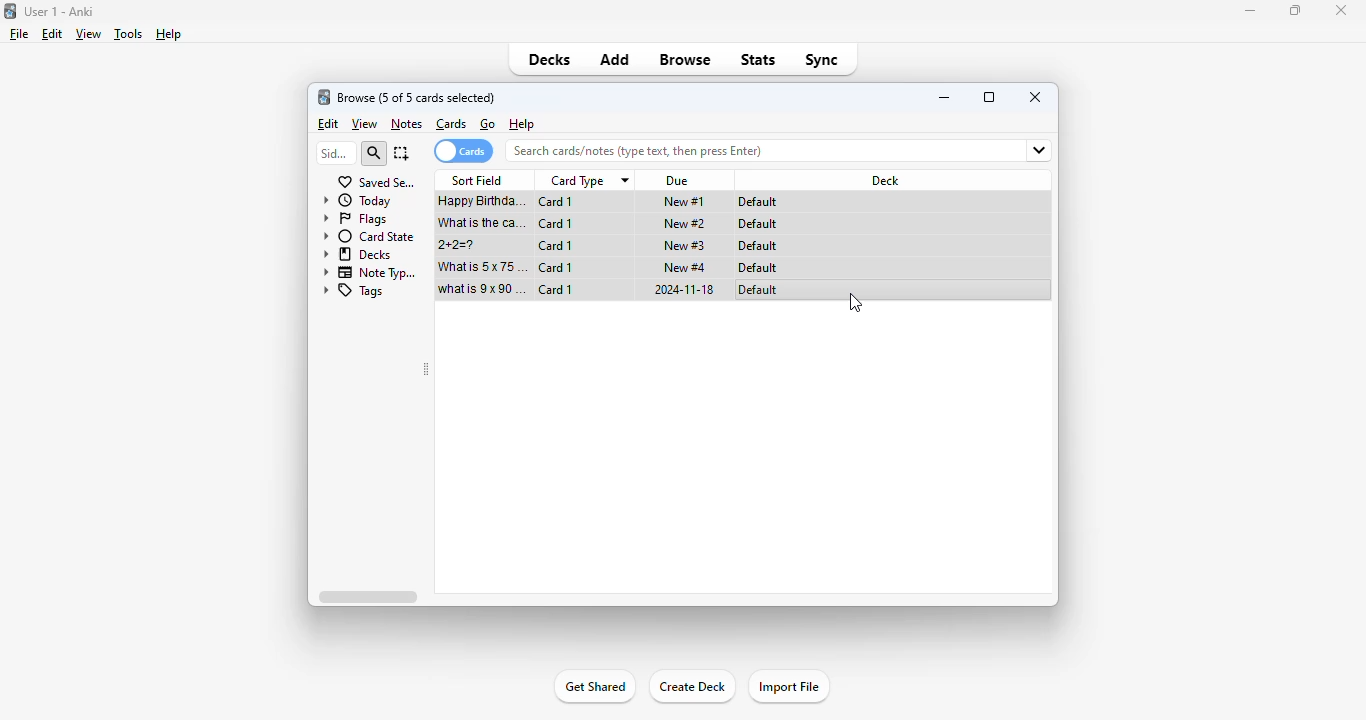 This screenshot has height=720, width=1366. Describe the element at coordinates (1030, 151) in the screenshot. I see `fields` at that location.